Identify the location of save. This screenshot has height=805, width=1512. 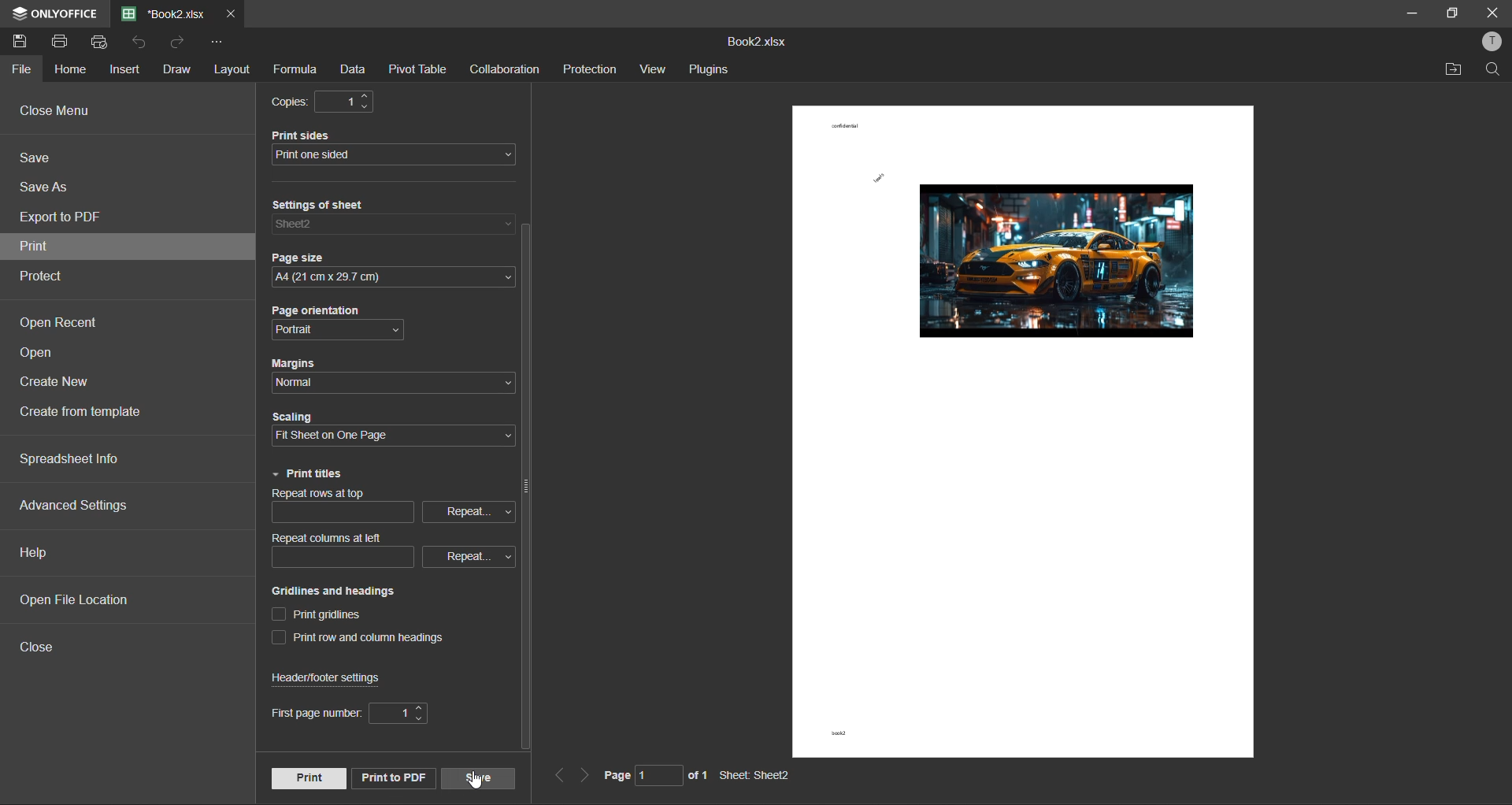
(21, 42).